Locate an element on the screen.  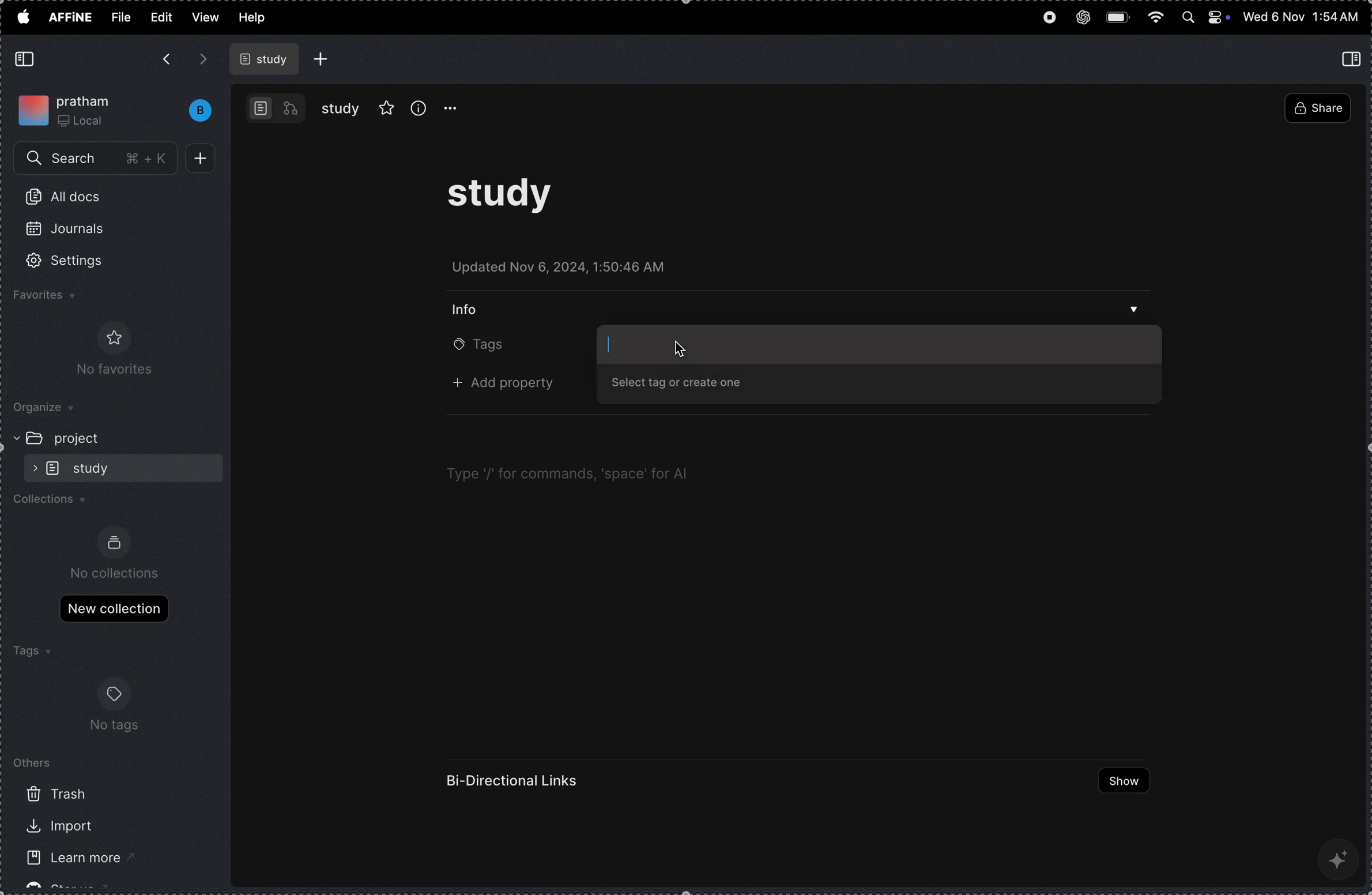
forward is located at coordinates (203, 59).